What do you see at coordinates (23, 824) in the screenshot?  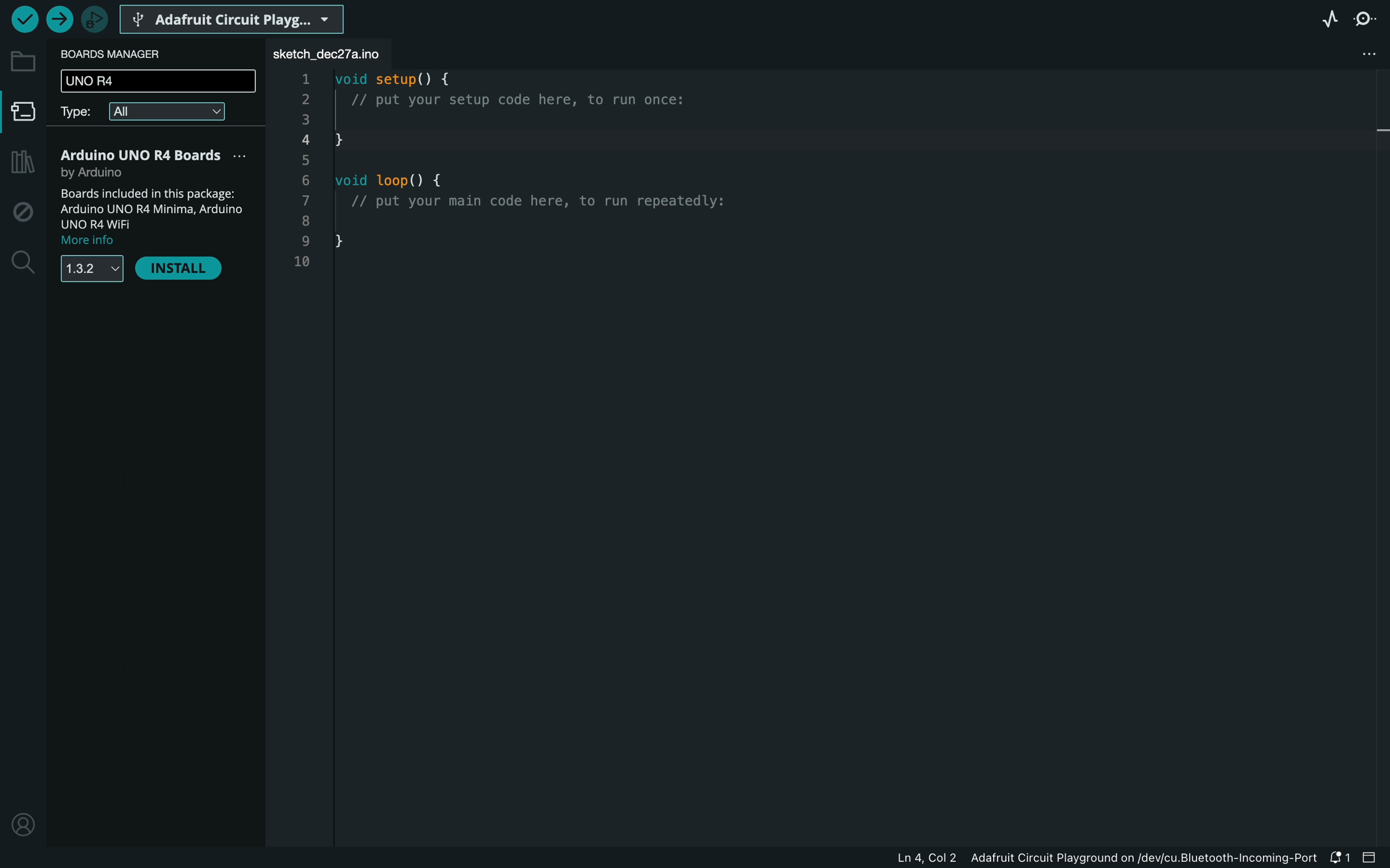 I see `profile` at bounding box center [23, 824].